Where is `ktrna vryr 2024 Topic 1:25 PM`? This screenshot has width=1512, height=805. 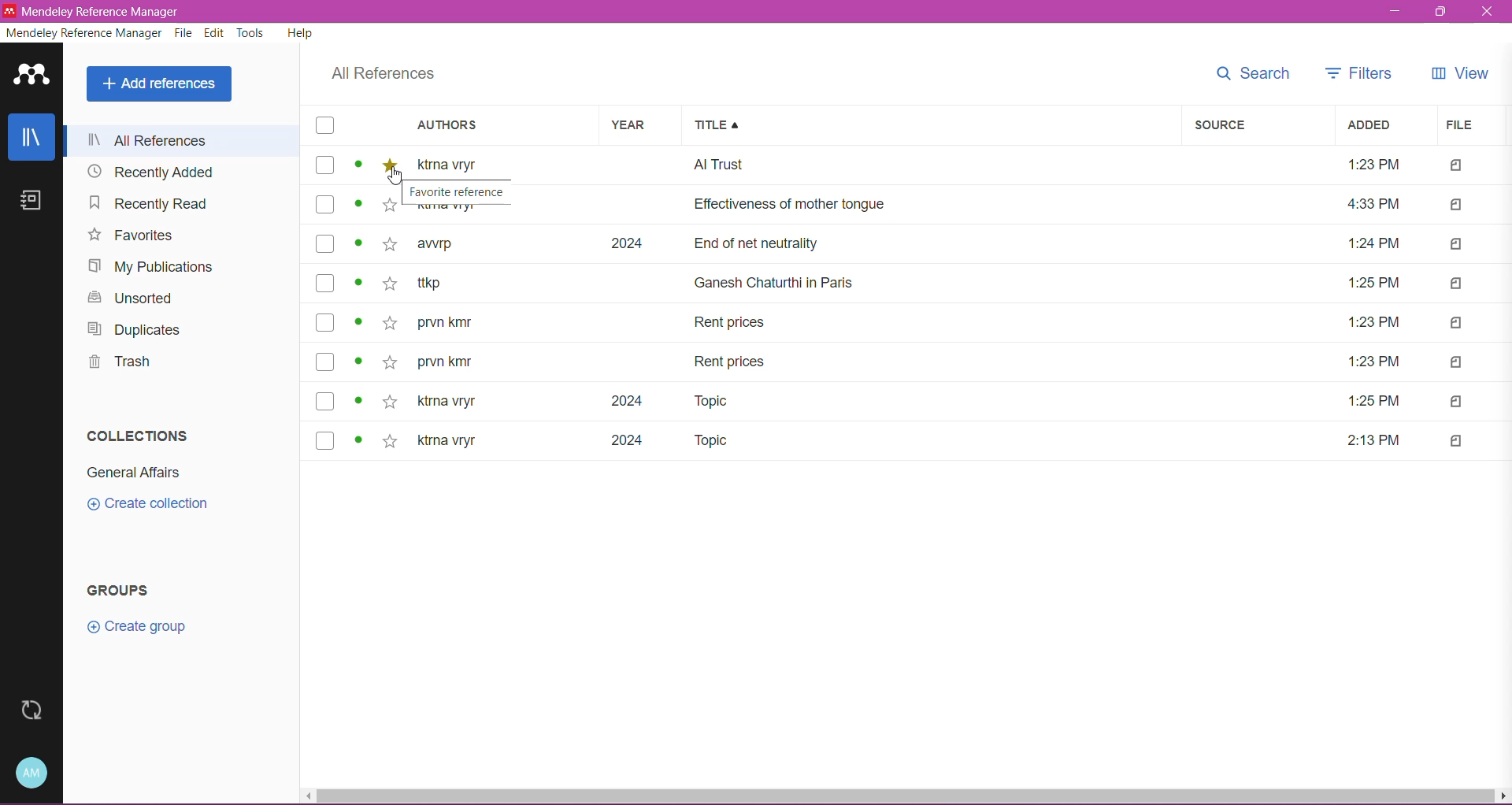 ktrna vryr 2024 Topic 1:25 PM is located at coordinates (912, 402).